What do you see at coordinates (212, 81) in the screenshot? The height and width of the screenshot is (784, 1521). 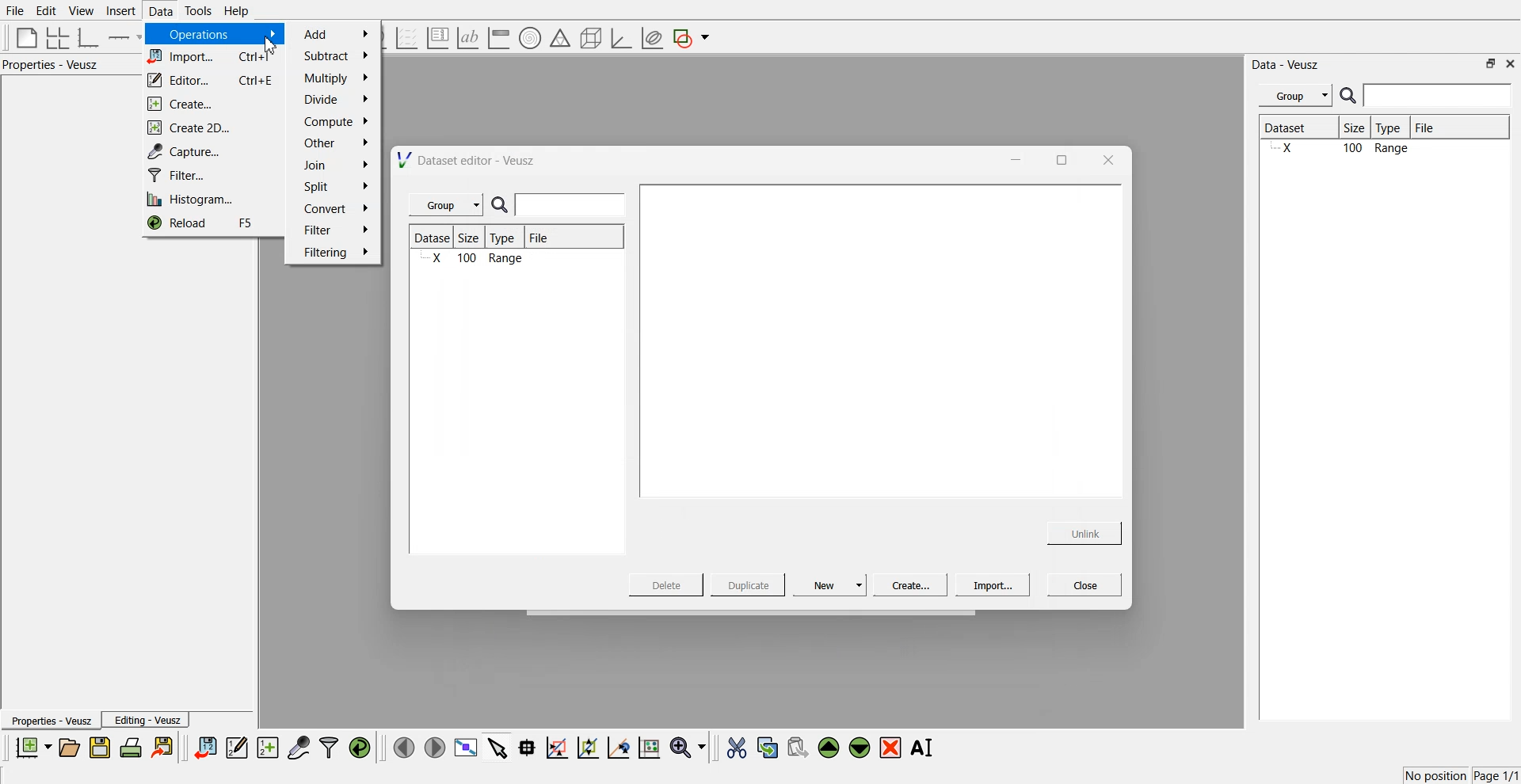 I see `Editor. Ctrl+E` at bounding box center [212, 81].